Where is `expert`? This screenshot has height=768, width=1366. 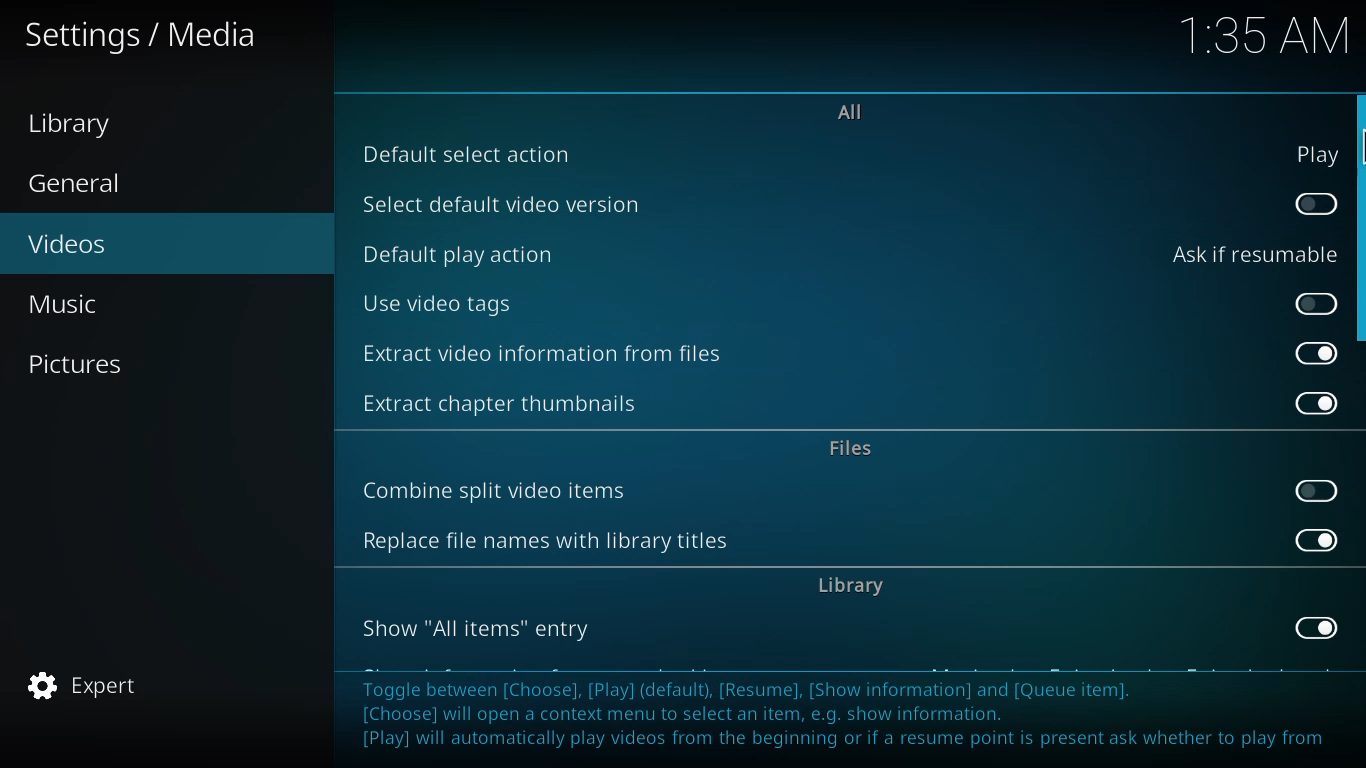 expert is located at coordinates (85, 686).